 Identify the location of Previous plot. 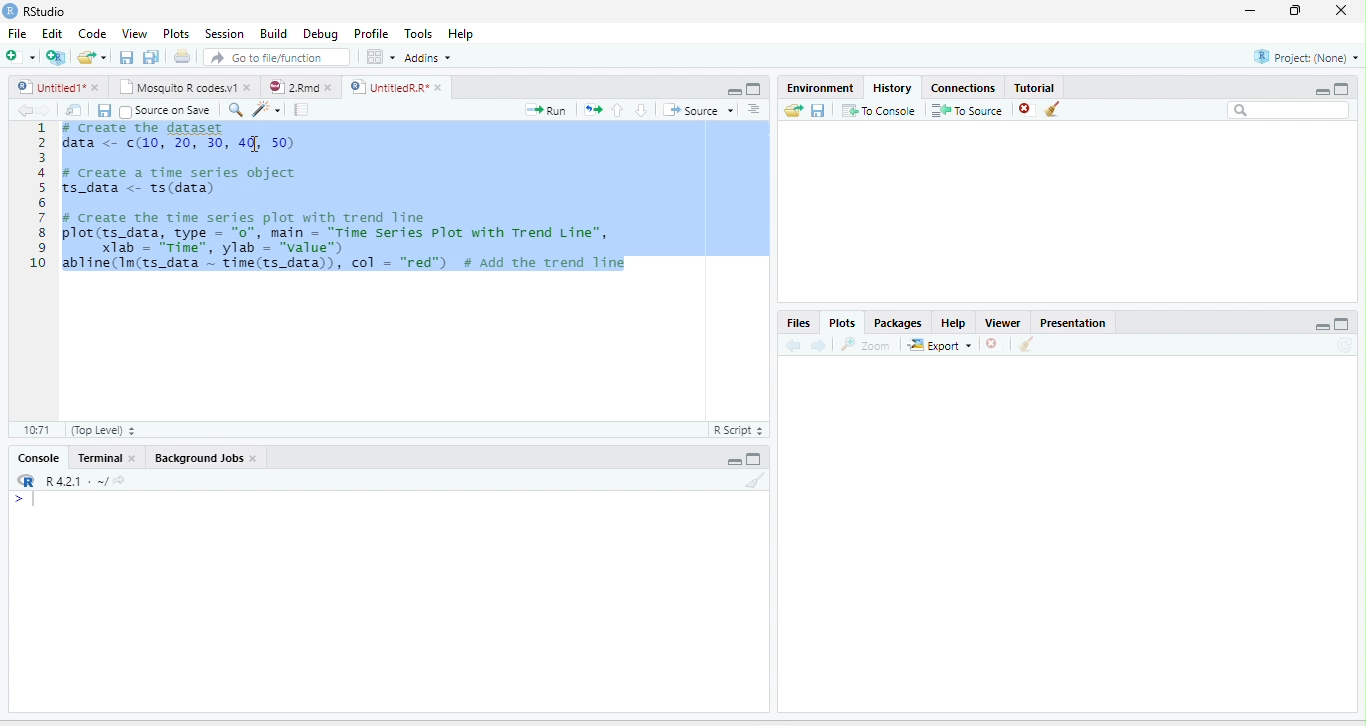
(793, 344).